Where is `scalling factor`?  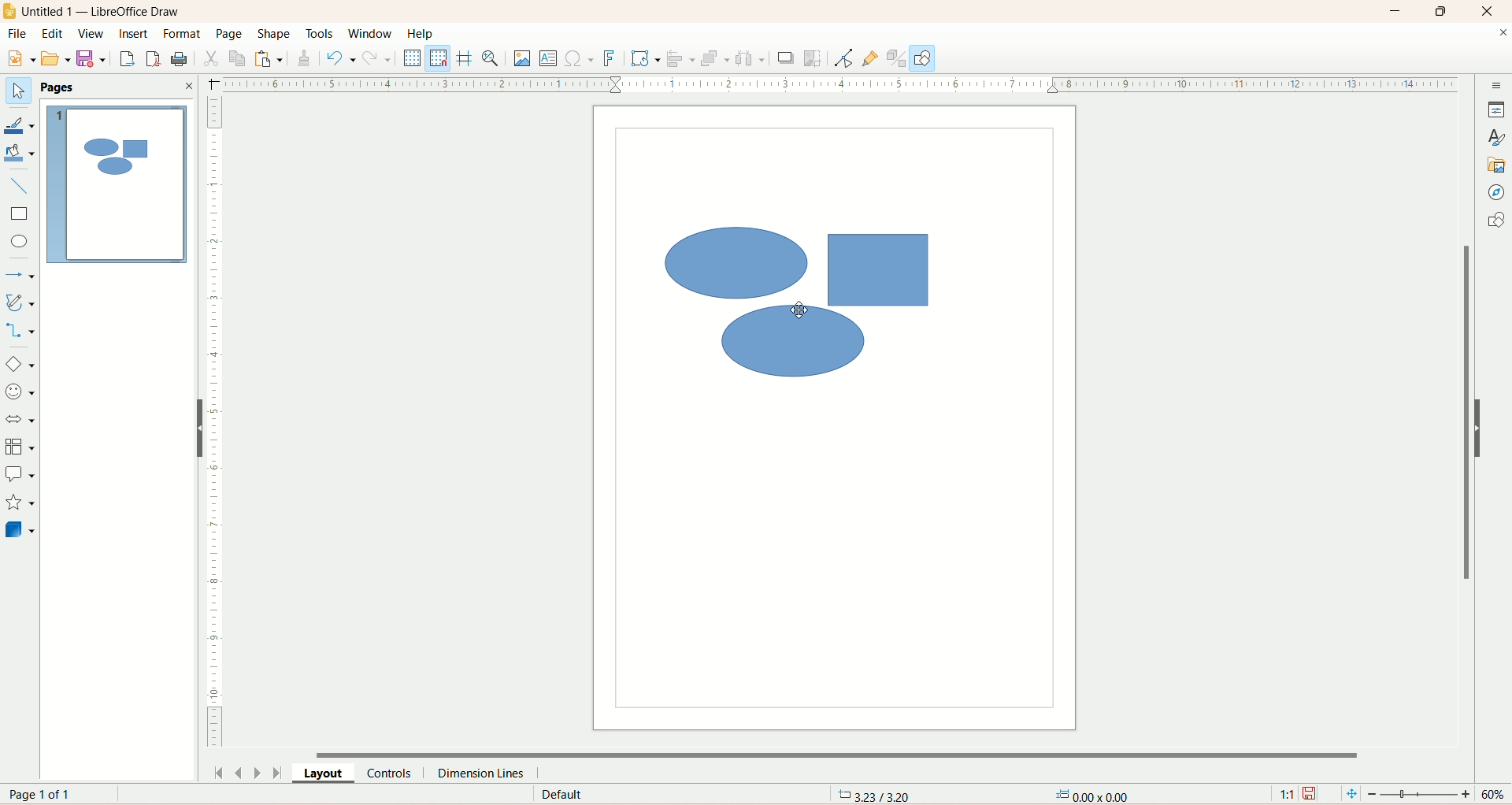
scalling factor is located at coordinates (1288, 792).